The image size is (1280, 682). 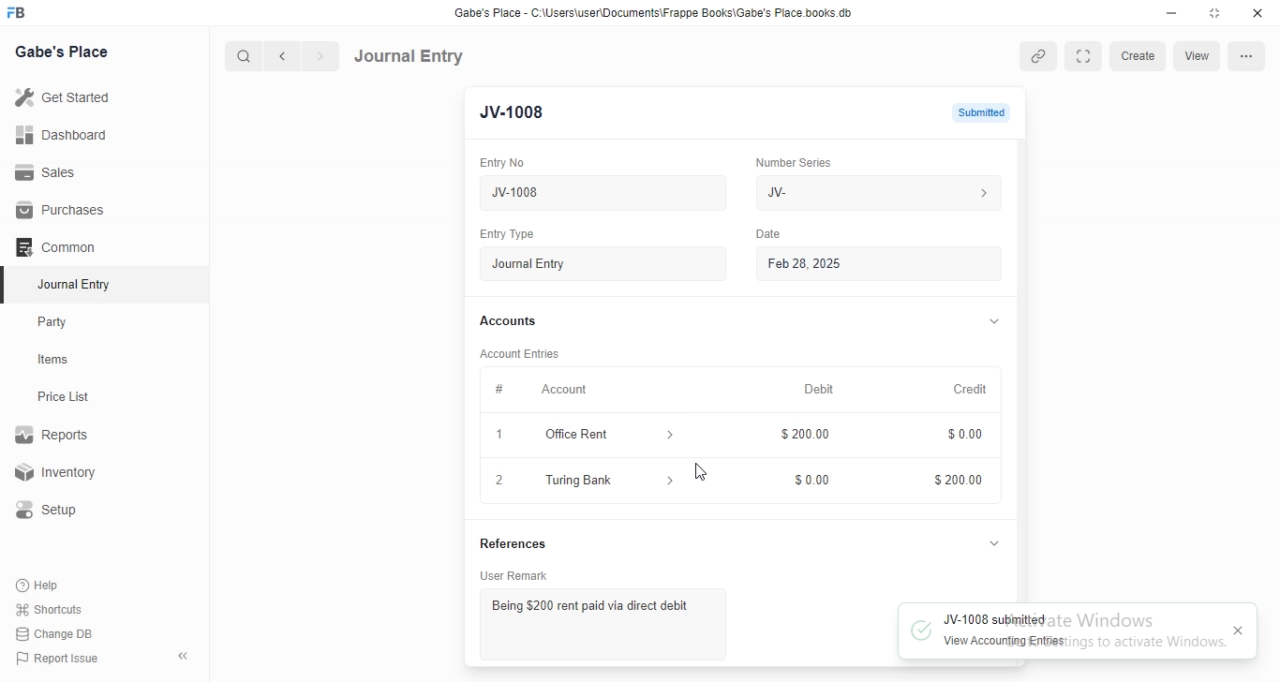 What do you see at coordinates (1021, 631) in the screenshot?
I see `IV-1008 submitted View Accounting Entries` at bounding box center [1021, 631].